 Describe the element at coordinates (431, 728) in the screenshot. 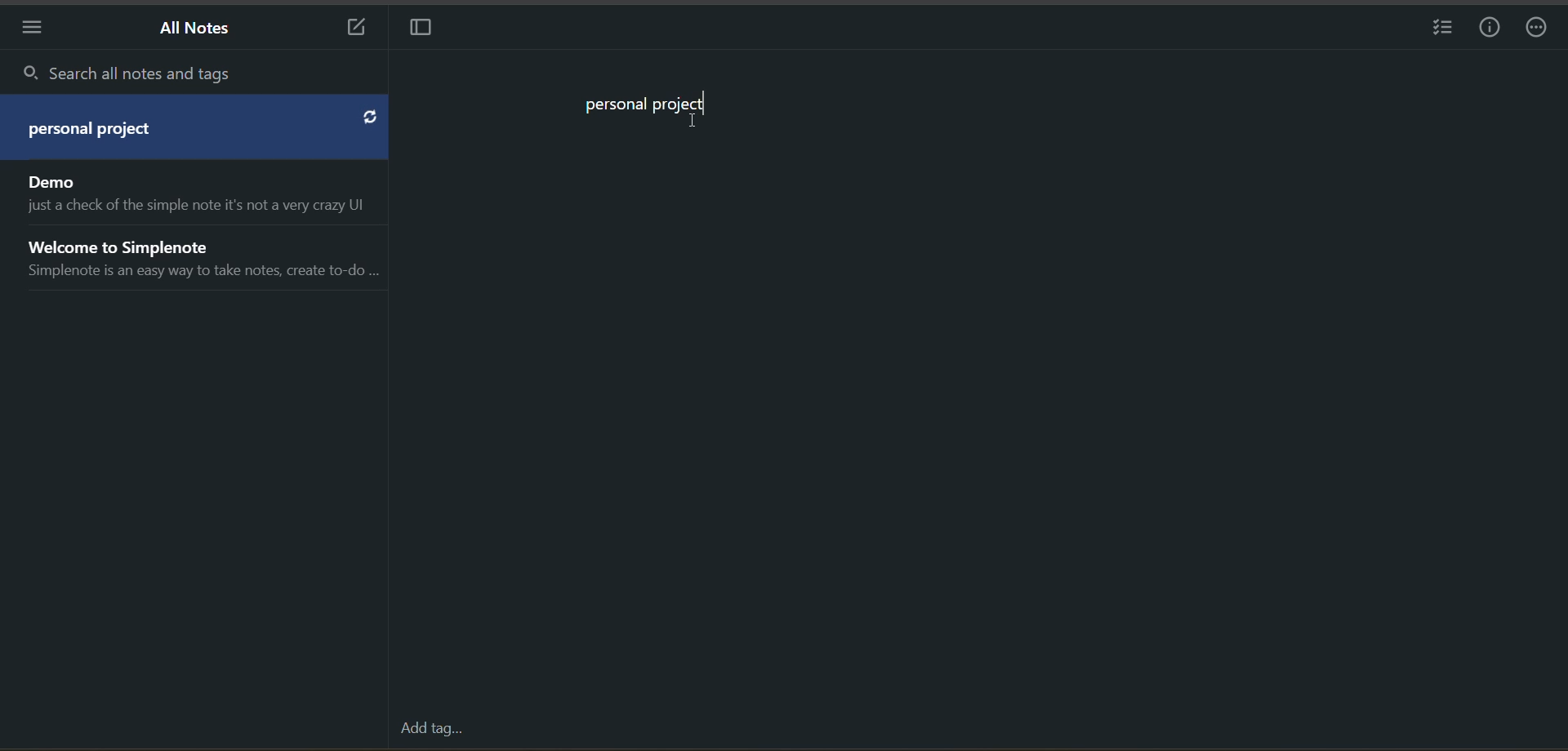

I see `add tag` at that location.